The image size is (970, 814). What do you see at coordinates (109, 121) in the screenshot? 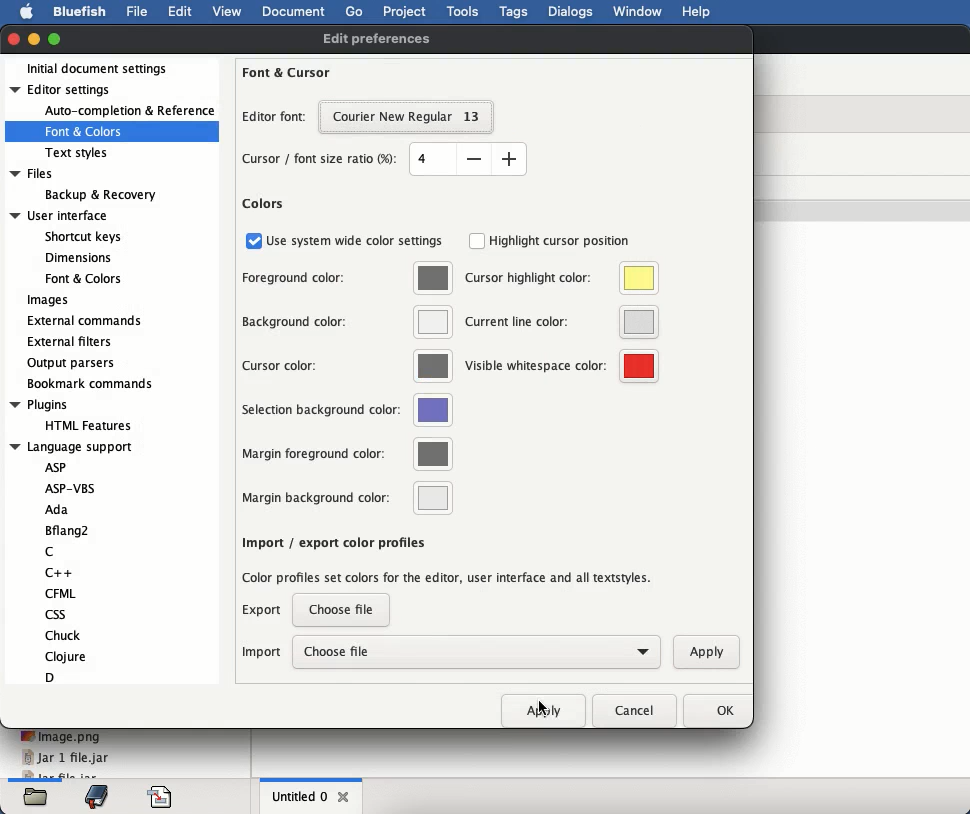
I see `editor settings` at bounding box center [109, 121].